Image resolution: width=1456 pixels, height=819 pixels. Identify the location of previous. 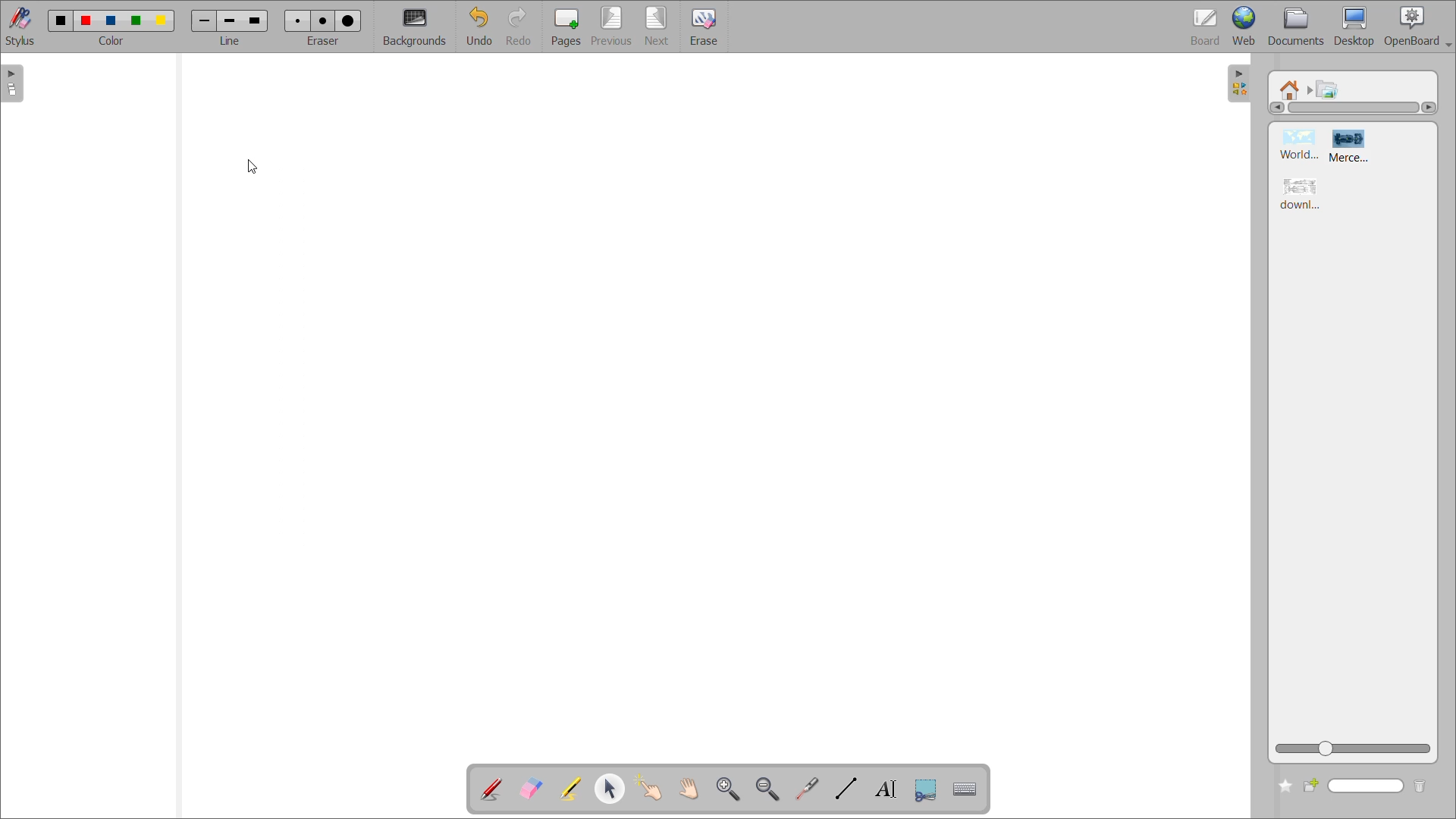
(613, 27).